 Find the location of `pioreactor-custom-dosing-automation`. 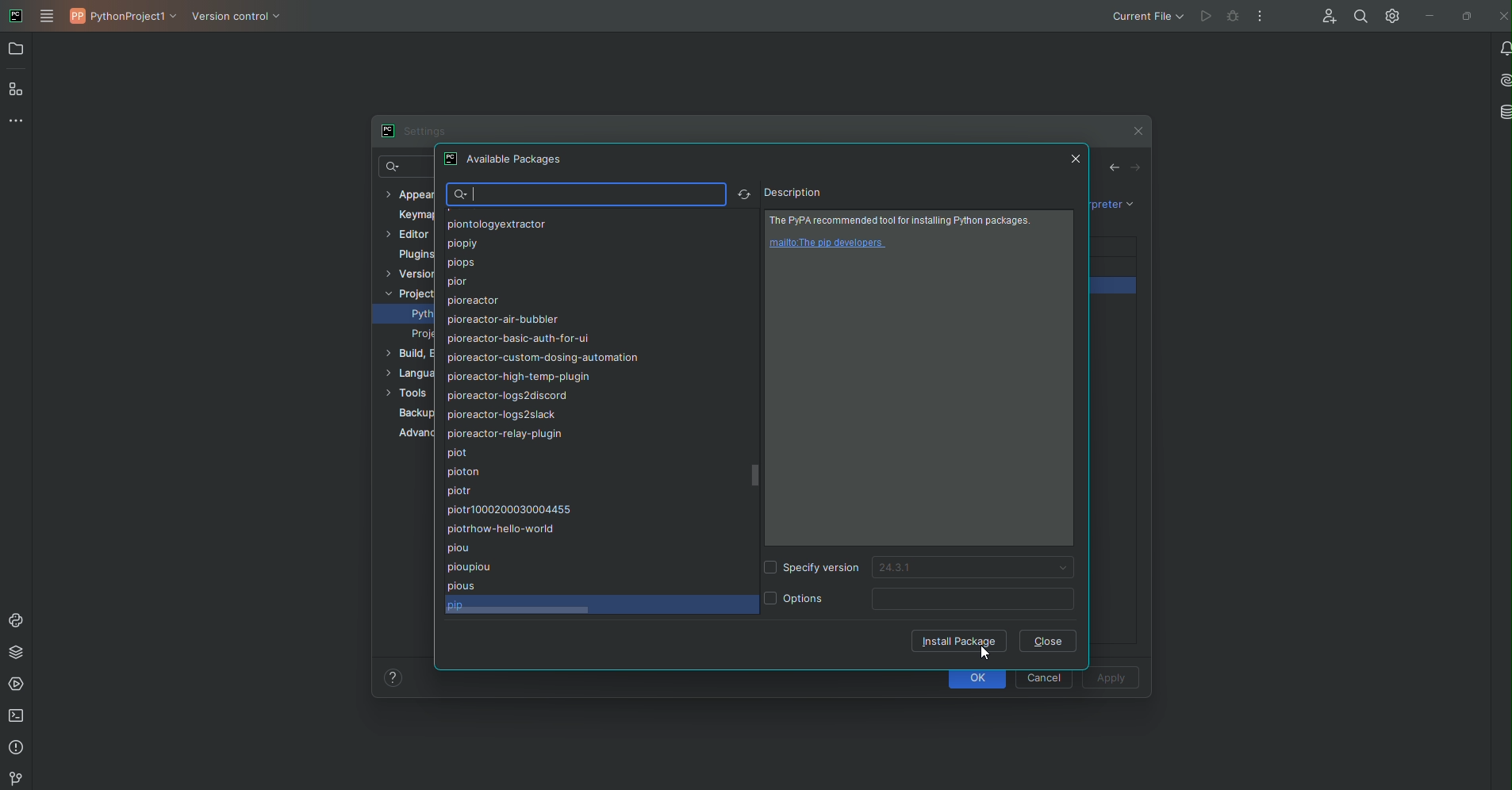

pioreactor-custom-dosing-automation is located at coordinates (546, 357).